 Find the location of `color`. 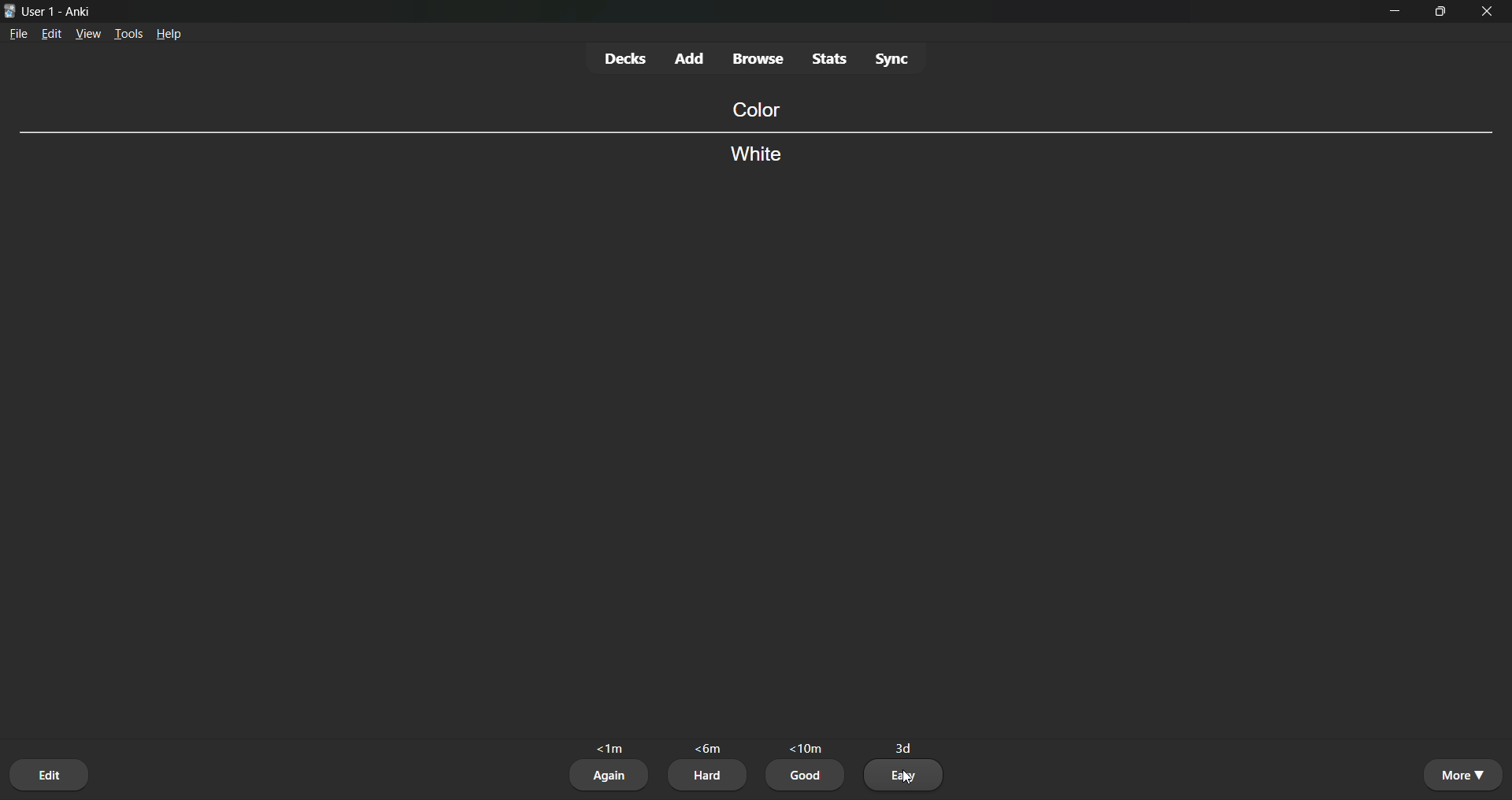

color is located at coordinates (753, 109).